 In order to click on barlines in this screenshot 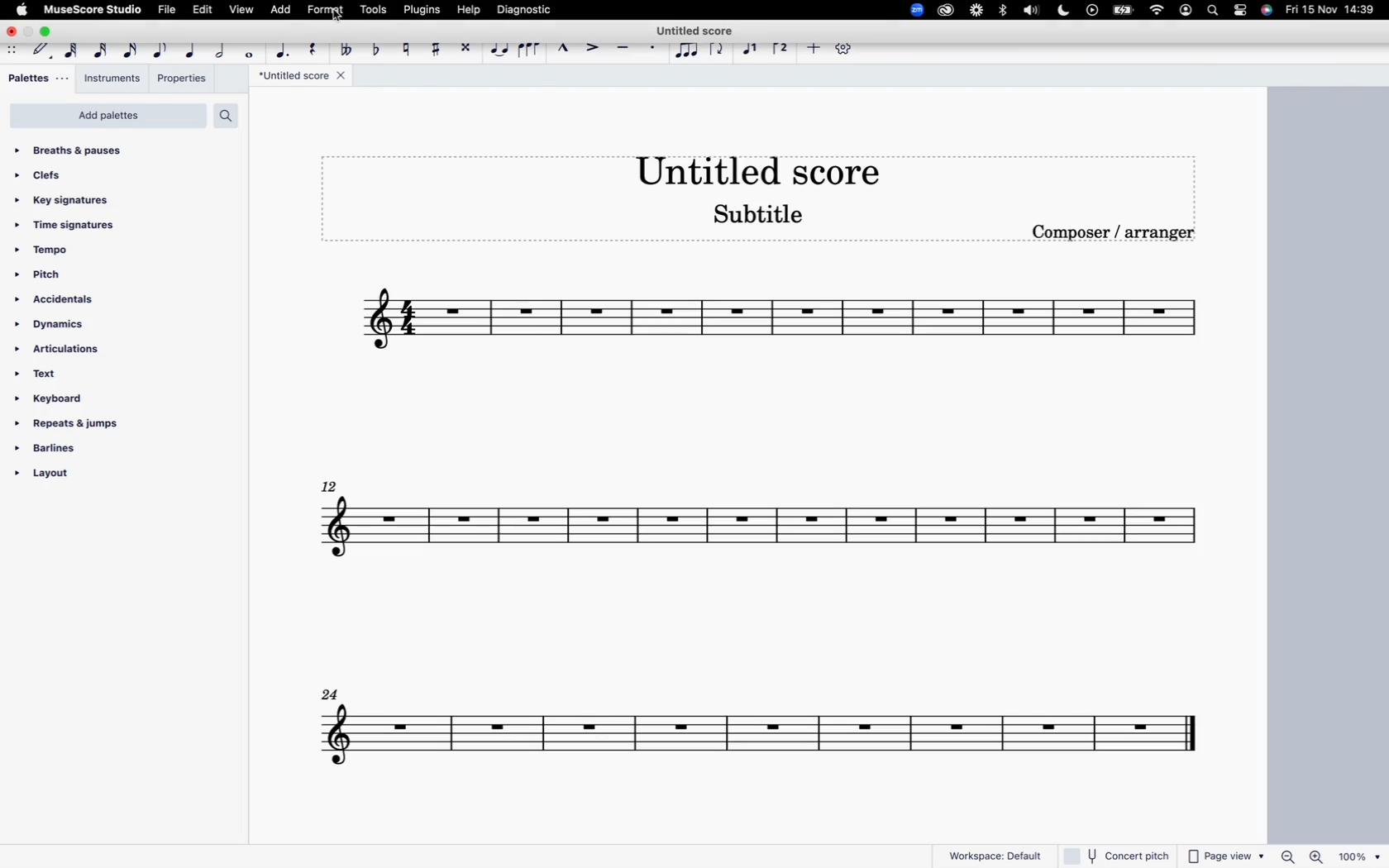, I will do `click(53, 450)`.